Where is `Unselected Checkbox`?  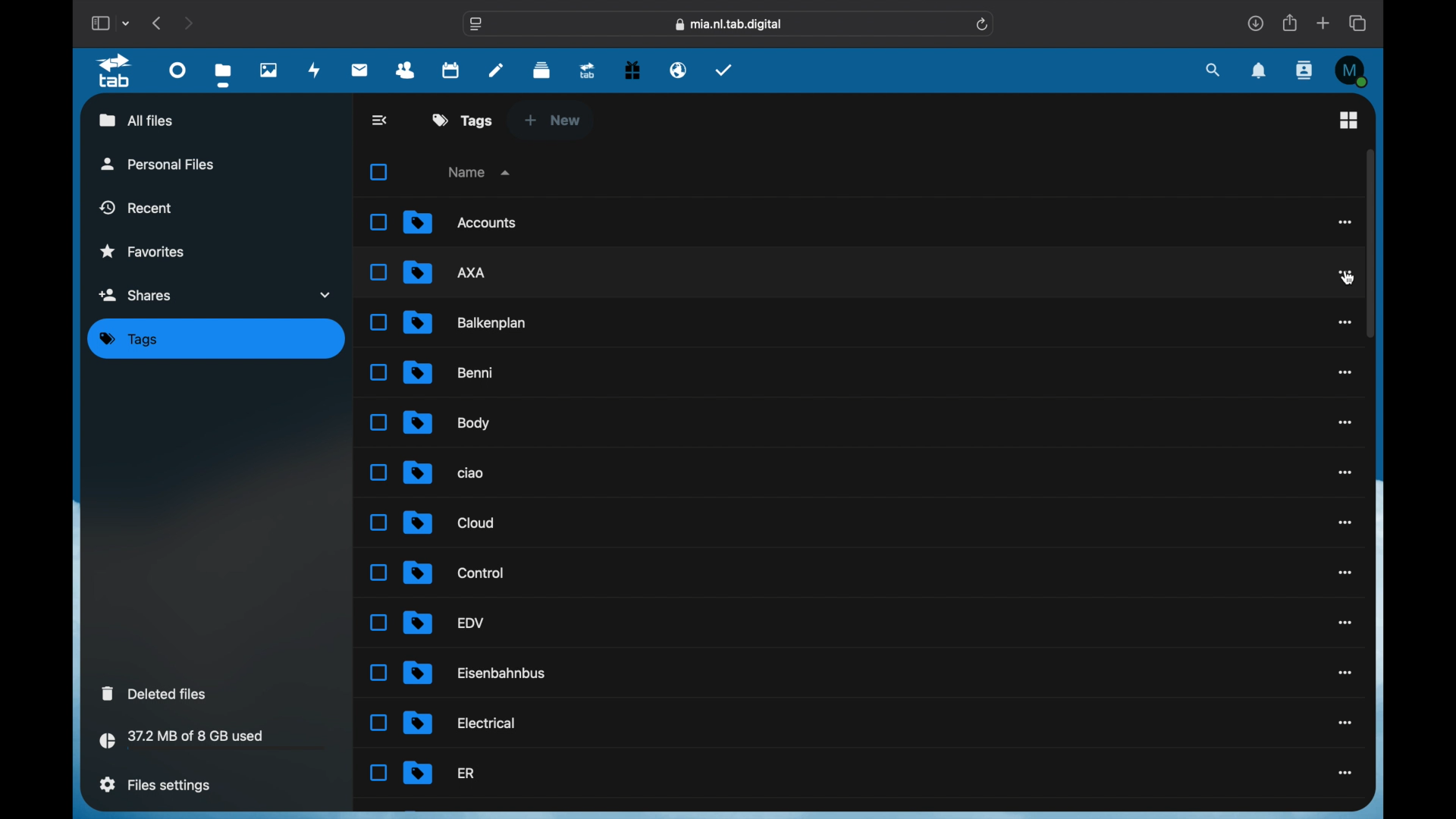 Unselected Checkbox is located at coordinates (377, 572).